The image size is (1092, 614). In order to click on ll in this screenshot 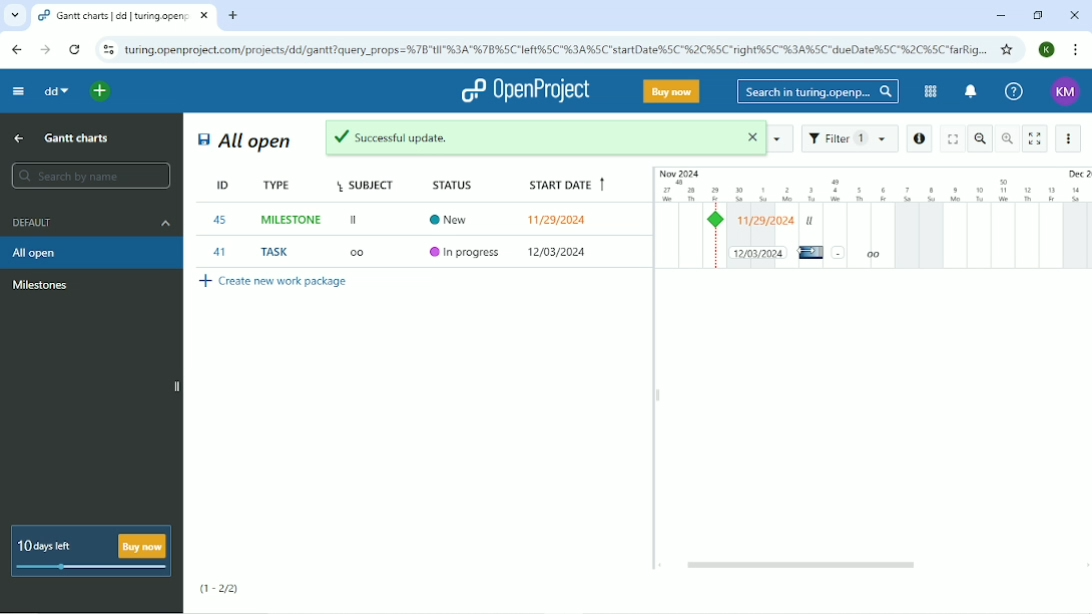, I will do `click(810, 221)`.